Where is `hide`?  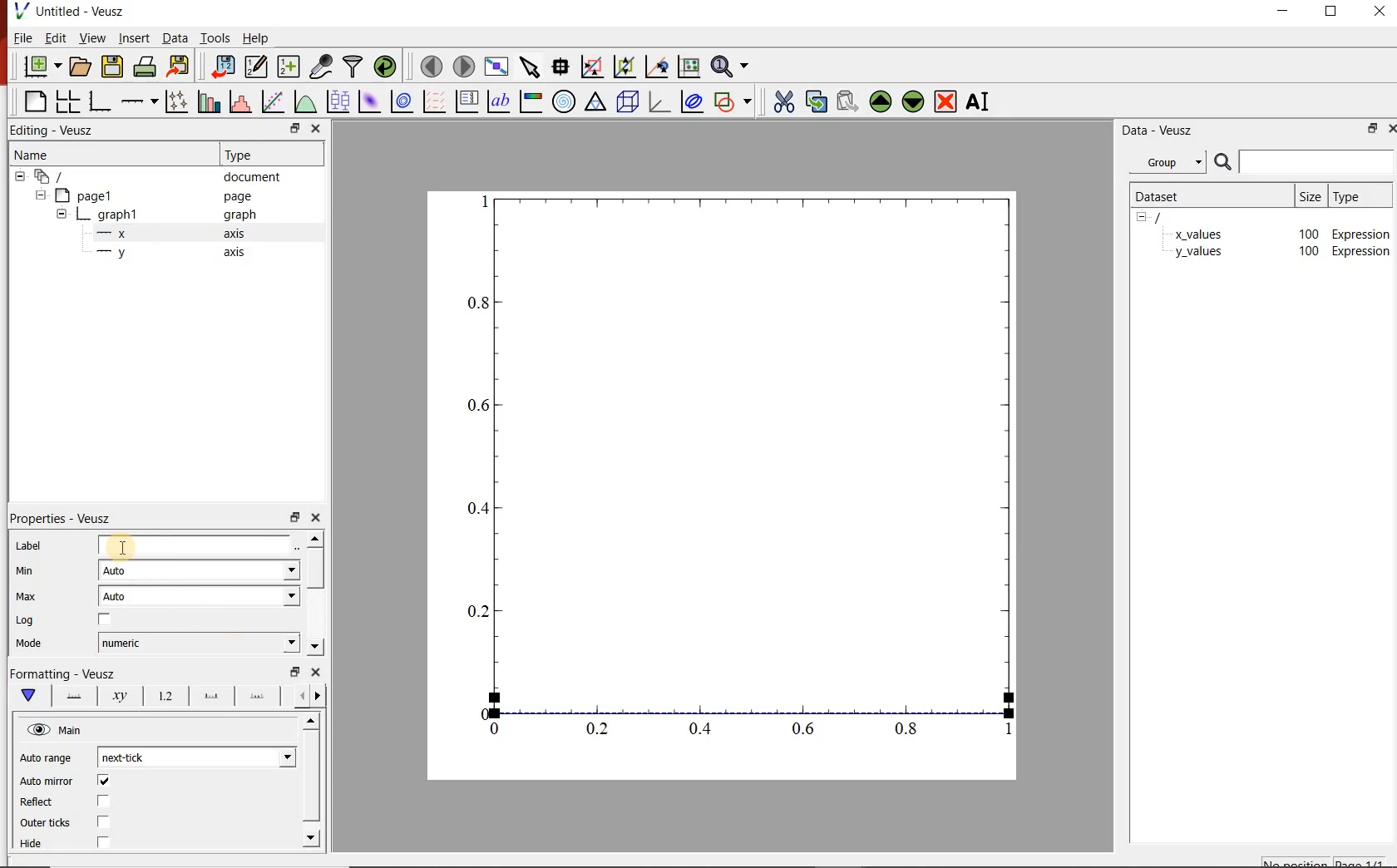 hide is located at coordinates (62, 213).